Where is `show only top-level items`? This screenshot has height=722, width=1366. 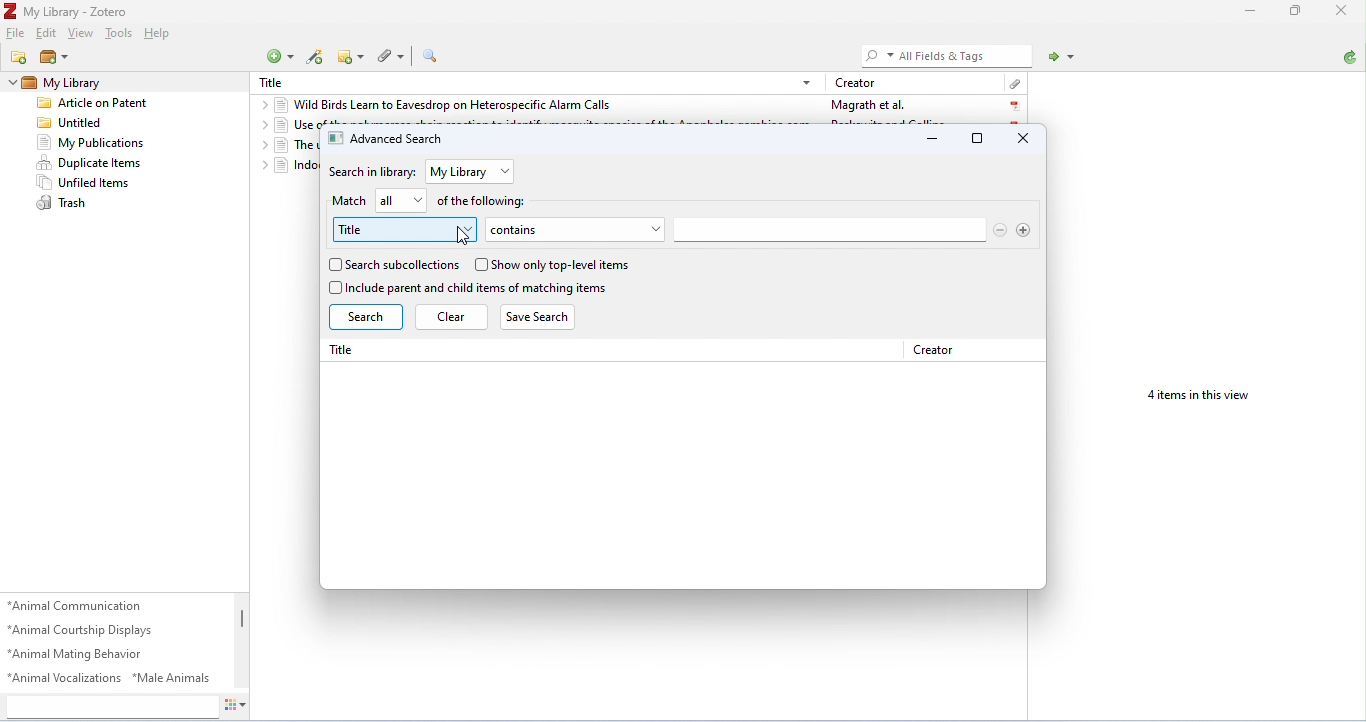
show only top-level items is located at coordinates (561, 265).